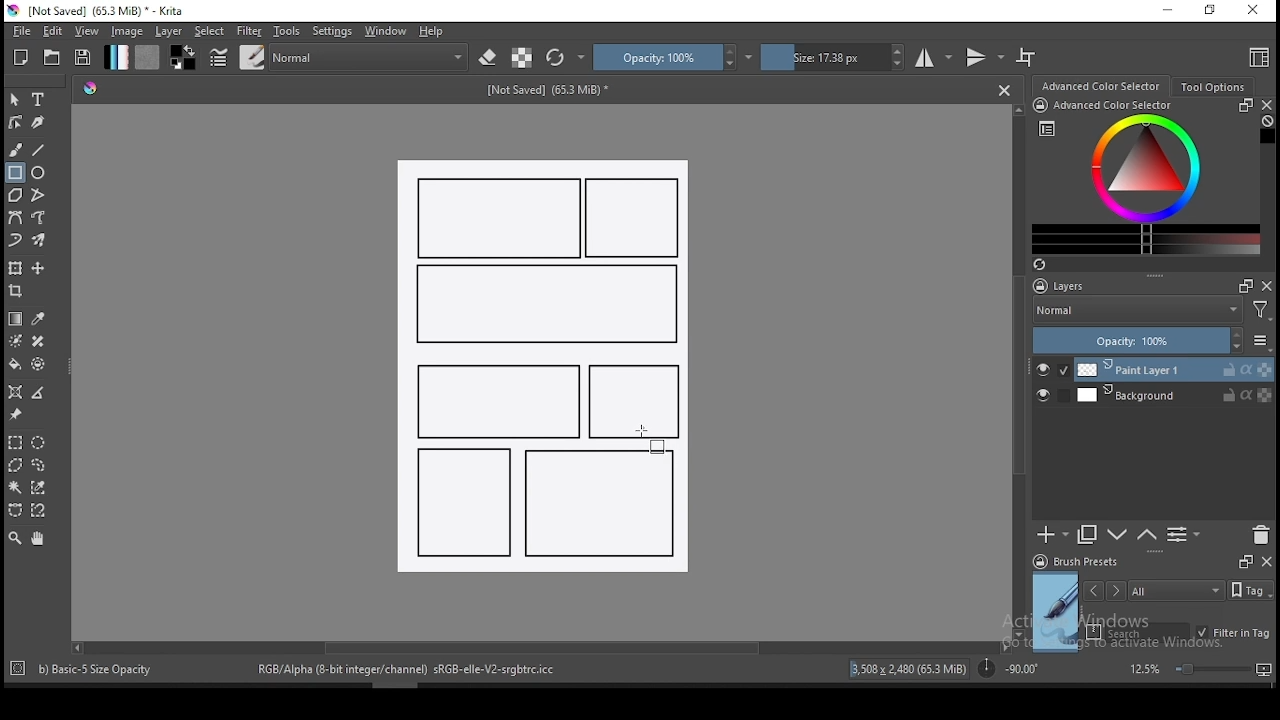 This screenshot has width=1280, height=720. I want to click on edit, so click(52, 30).